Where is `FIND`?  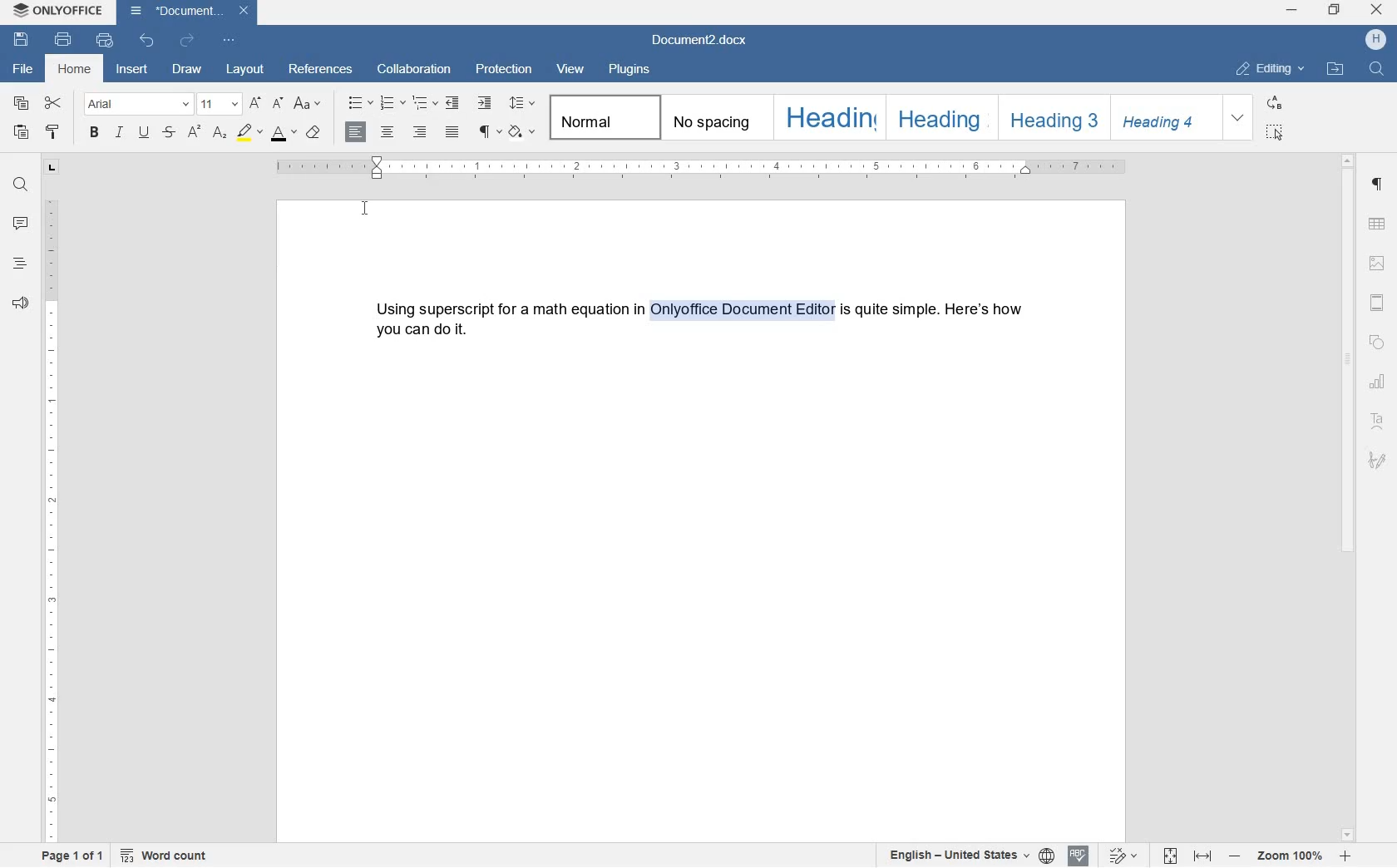 FIND is located at coordinates (1375, 69).